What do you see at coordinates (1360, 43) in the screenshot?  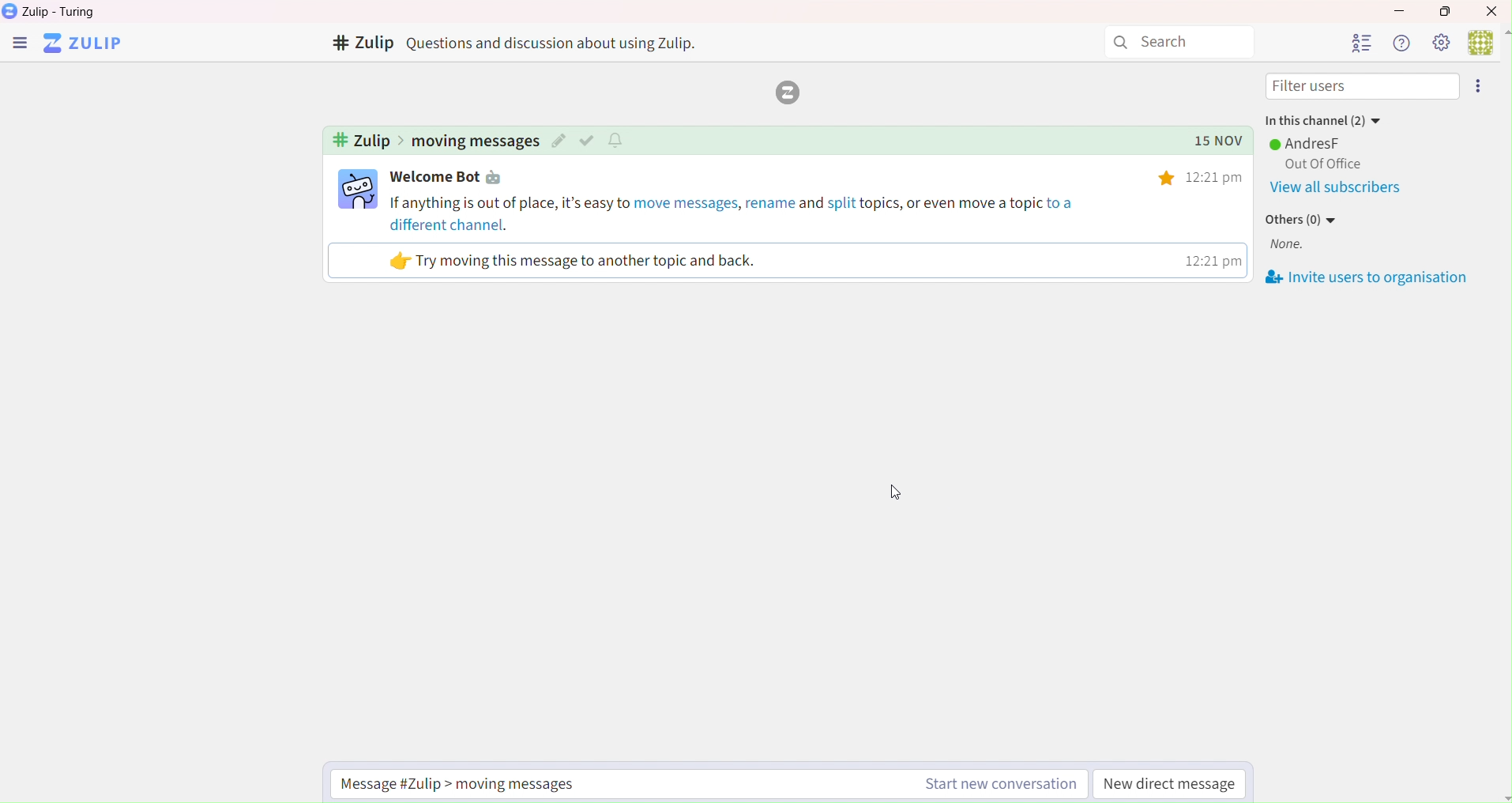 I see `Users` at bounding box center [1360, 43].